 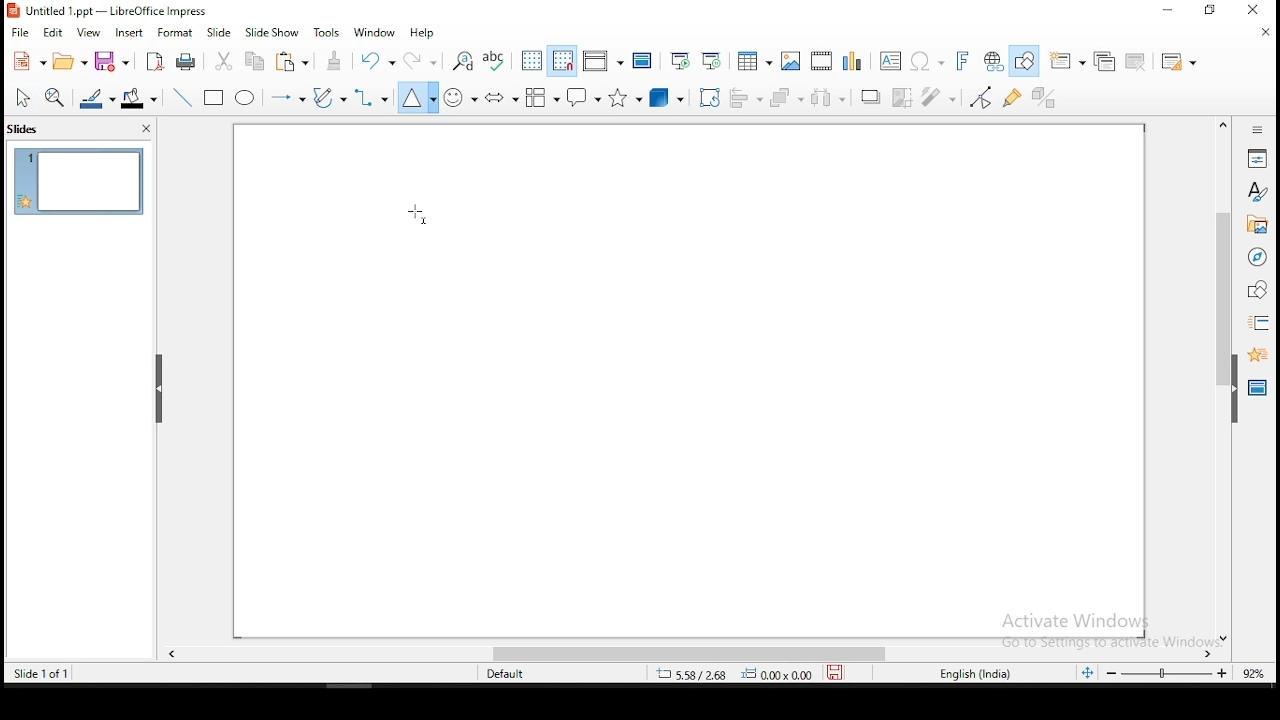 What do you see at coordinates (28, 61) in the screenshot?
I see `new` at bounding box center [28, 61].